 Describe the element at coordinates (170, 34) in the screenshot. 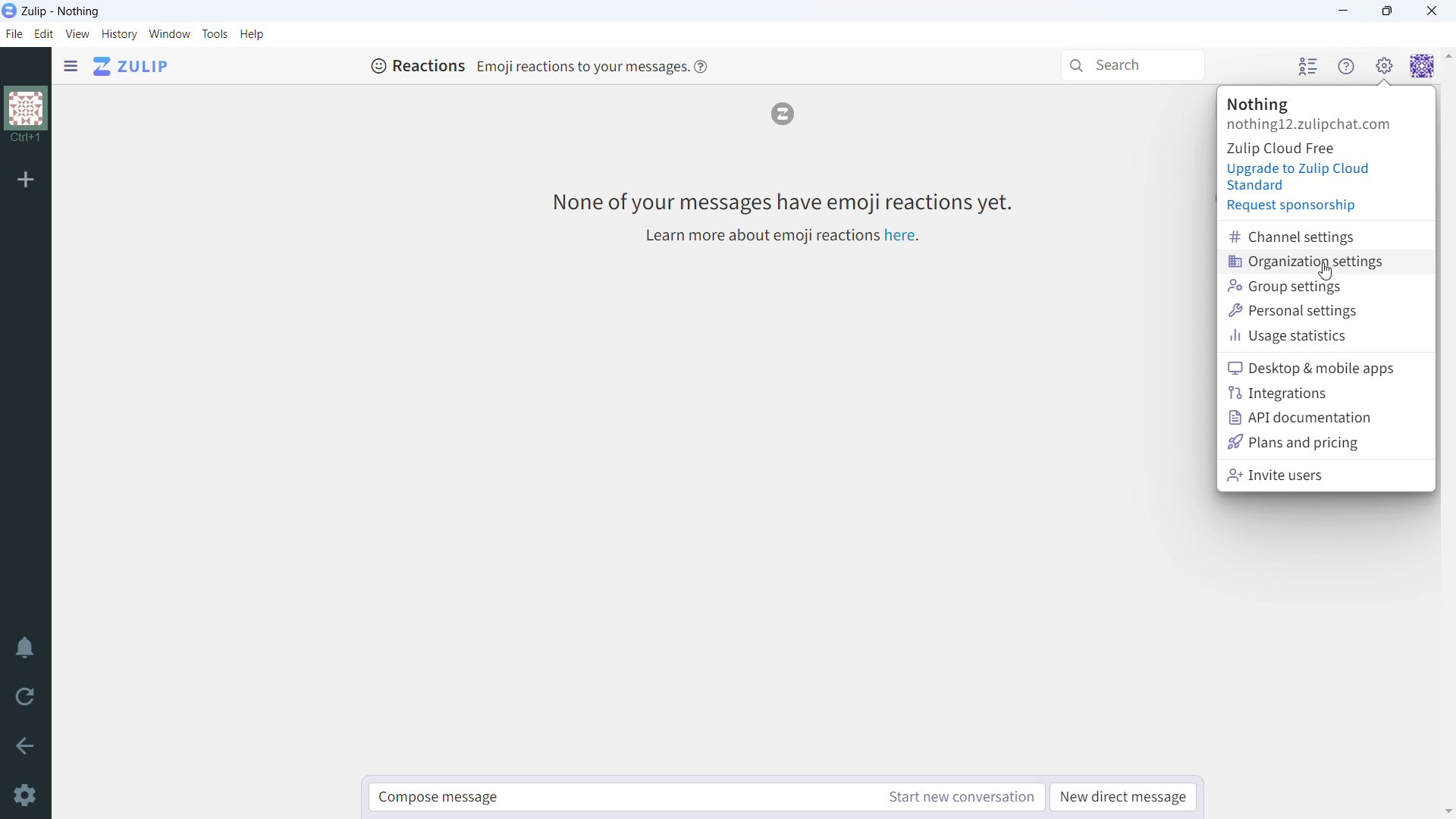

I see `window` at that location.